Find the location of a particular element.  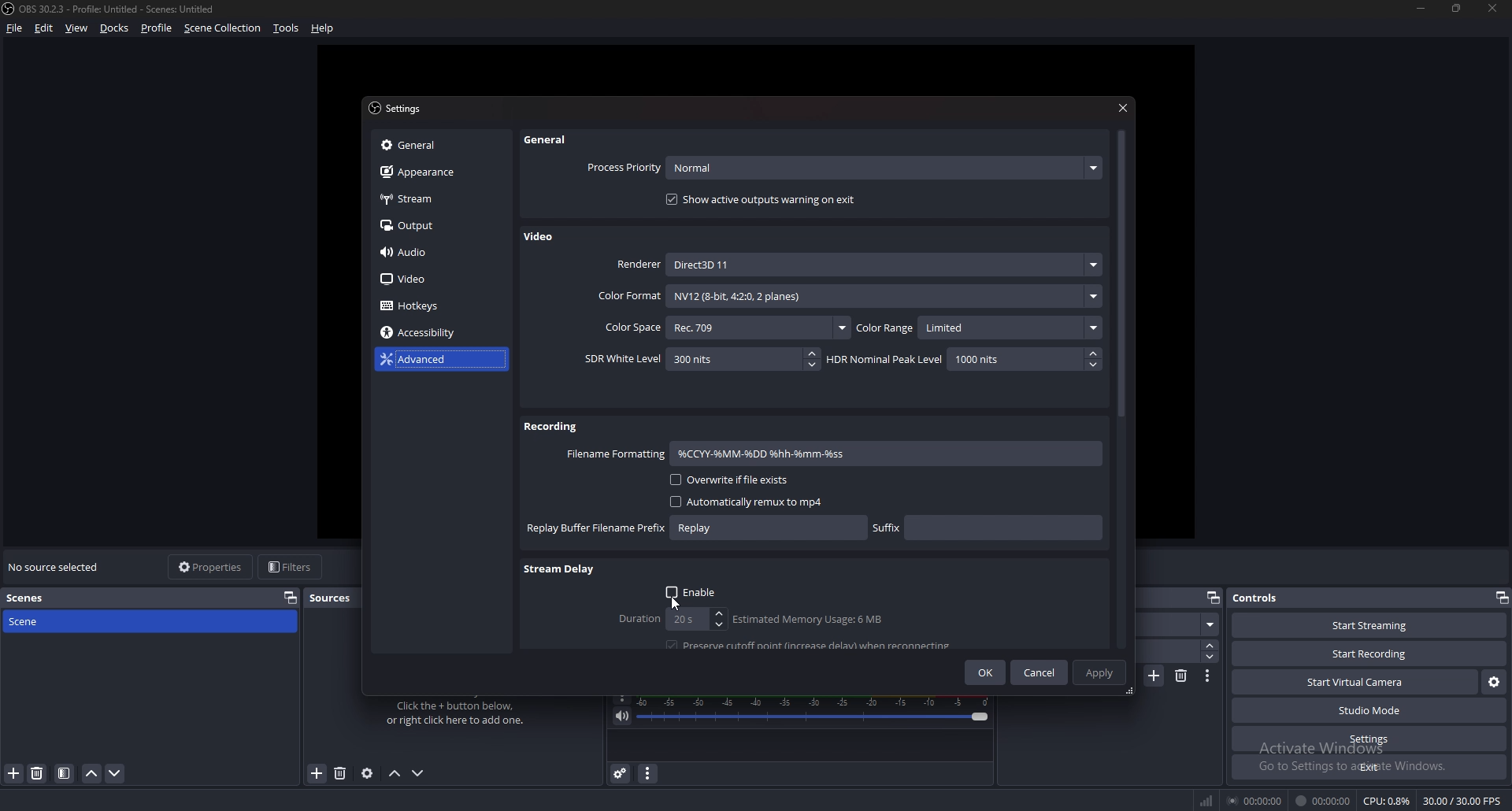

audio bar is located at coordinates (815, 709).